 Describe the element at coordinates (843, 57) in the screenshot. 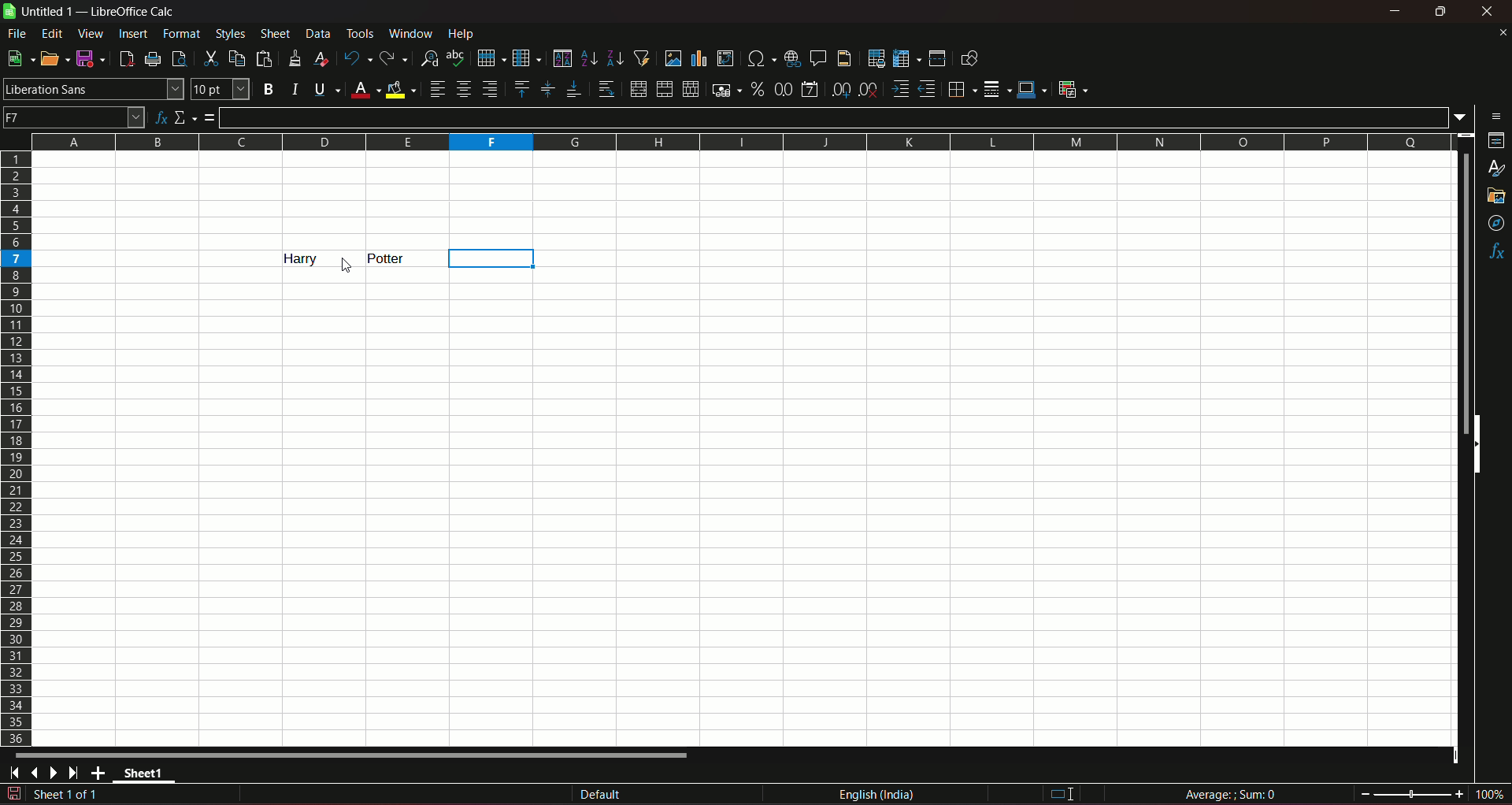

I see `headers & footers` at that location.